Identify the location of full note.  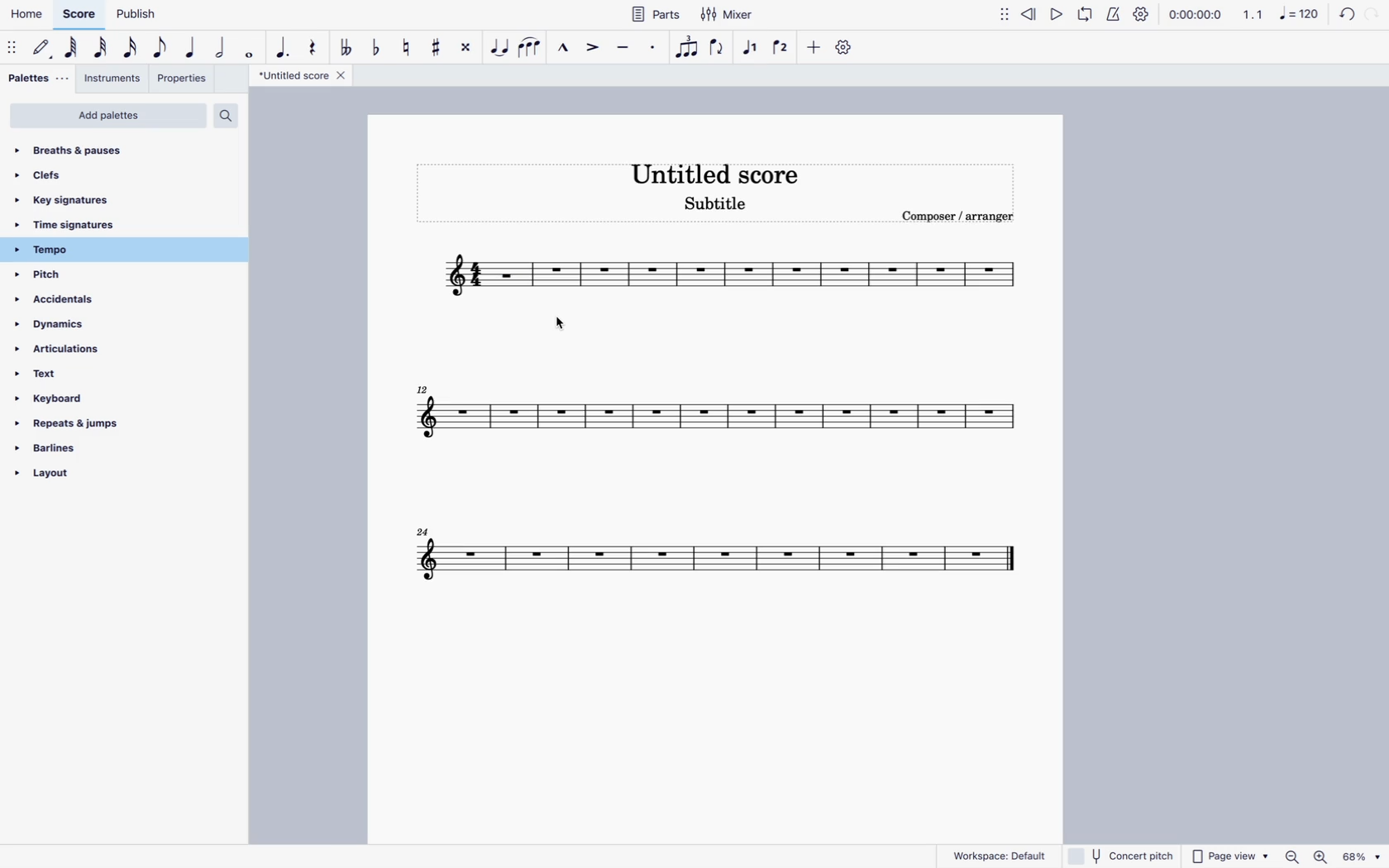
(251, 49).